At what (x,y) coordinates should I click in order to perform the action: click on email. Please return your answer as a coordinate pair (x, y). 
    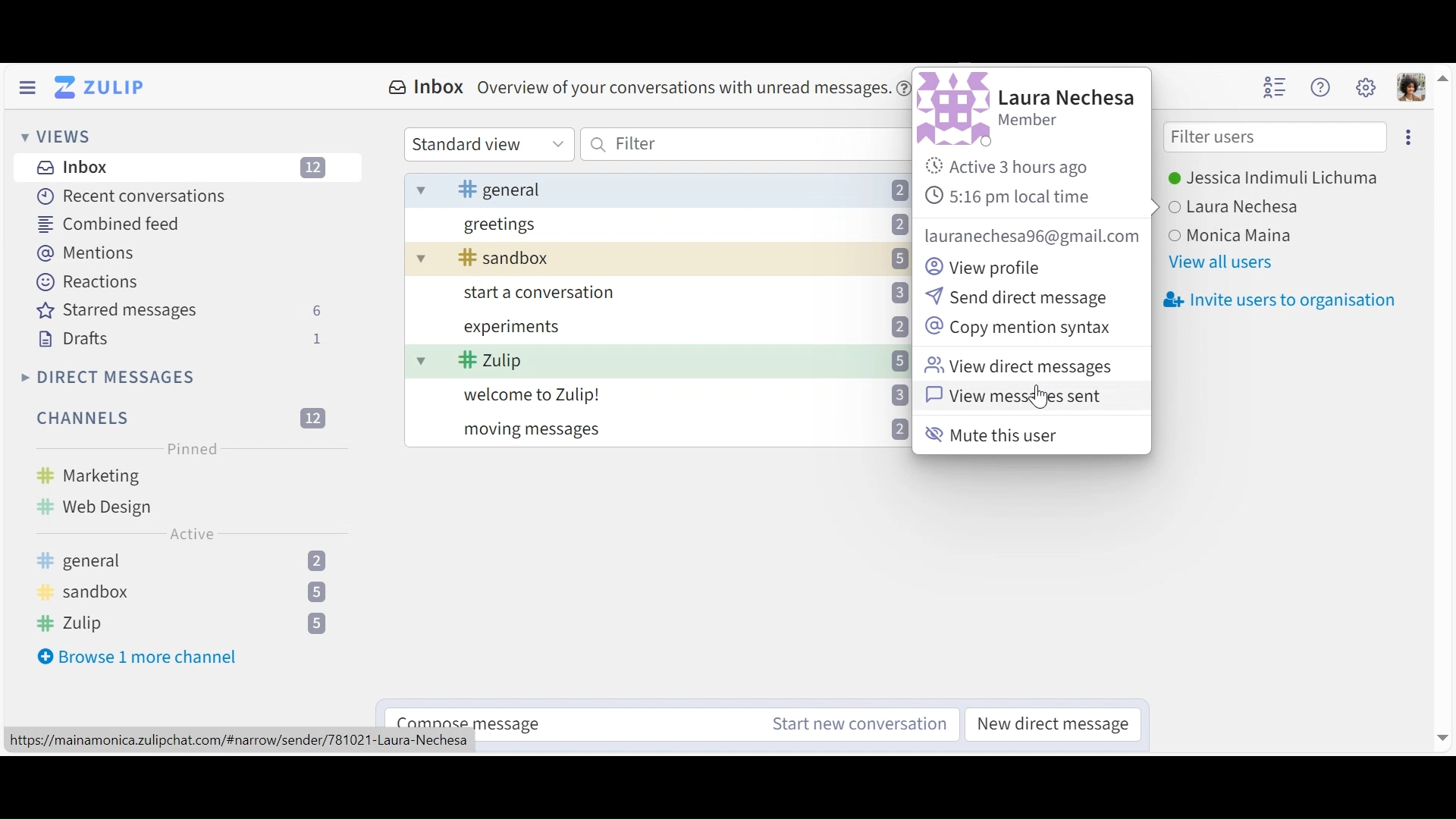
    Looking at the image, I should click on (1031, 237).